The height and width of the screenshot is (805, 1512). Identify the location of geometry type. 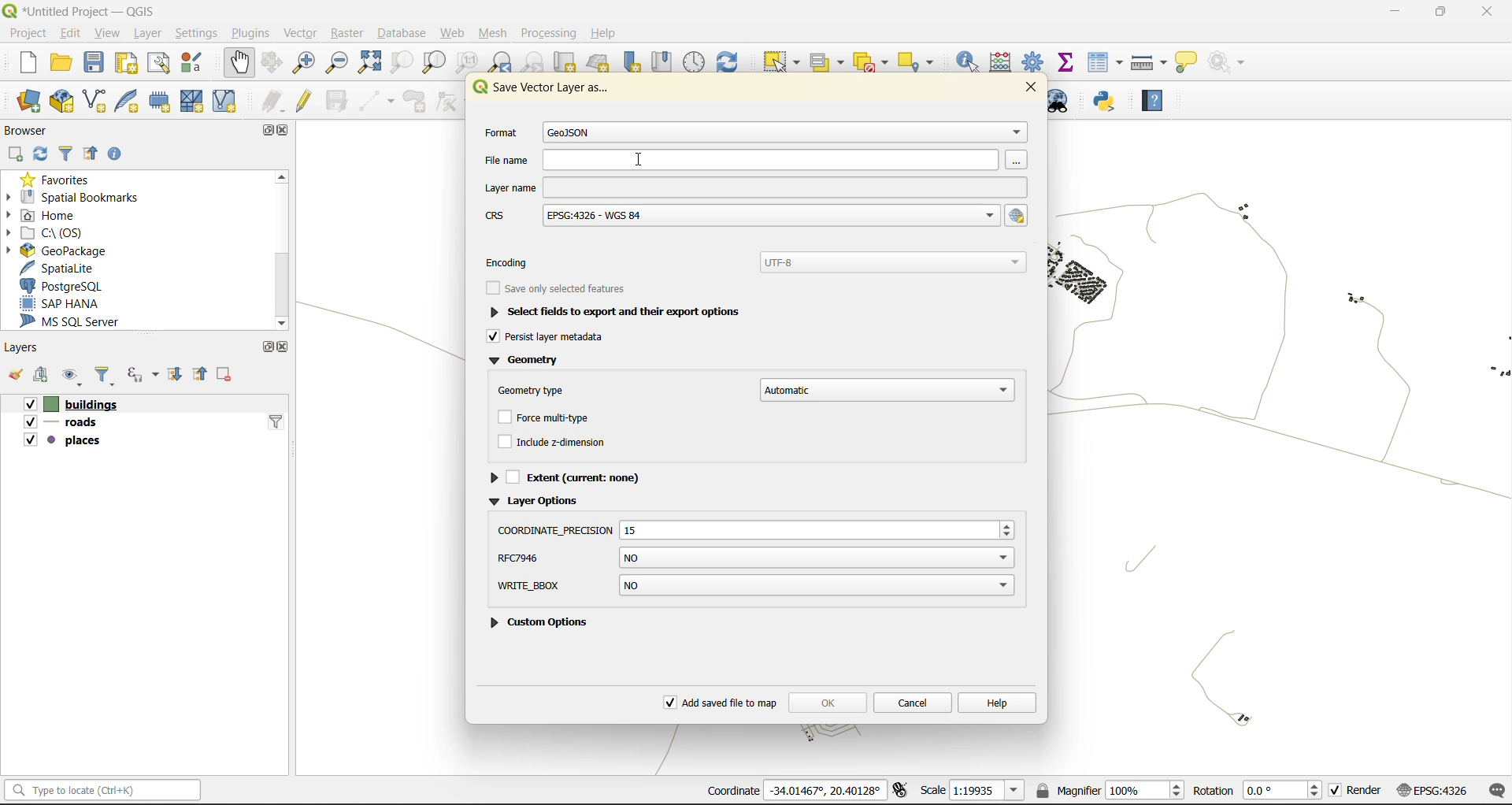
(754, 388).